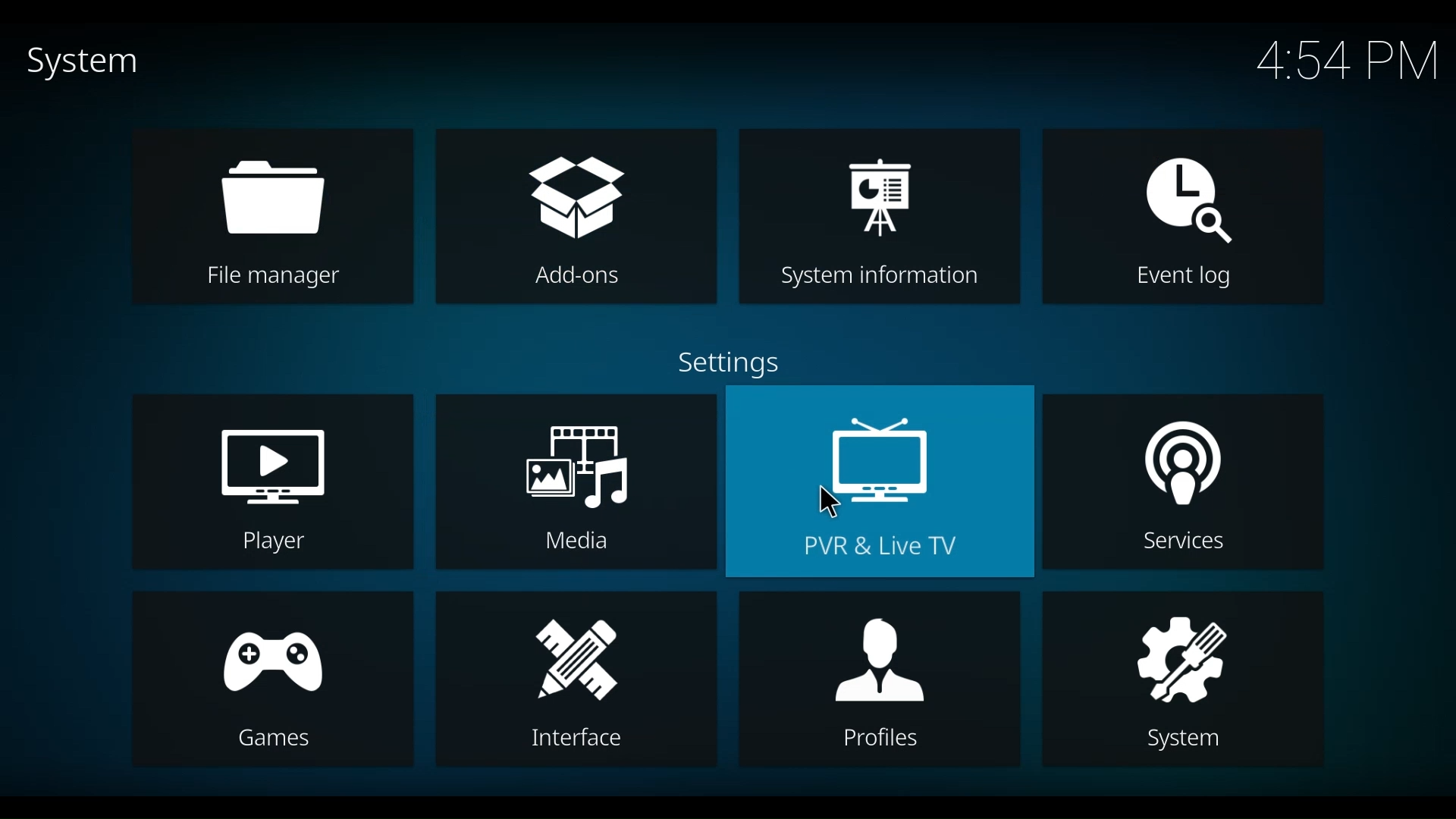 The image size is (1456, 819). I want to click on System, so click(1184, 679).